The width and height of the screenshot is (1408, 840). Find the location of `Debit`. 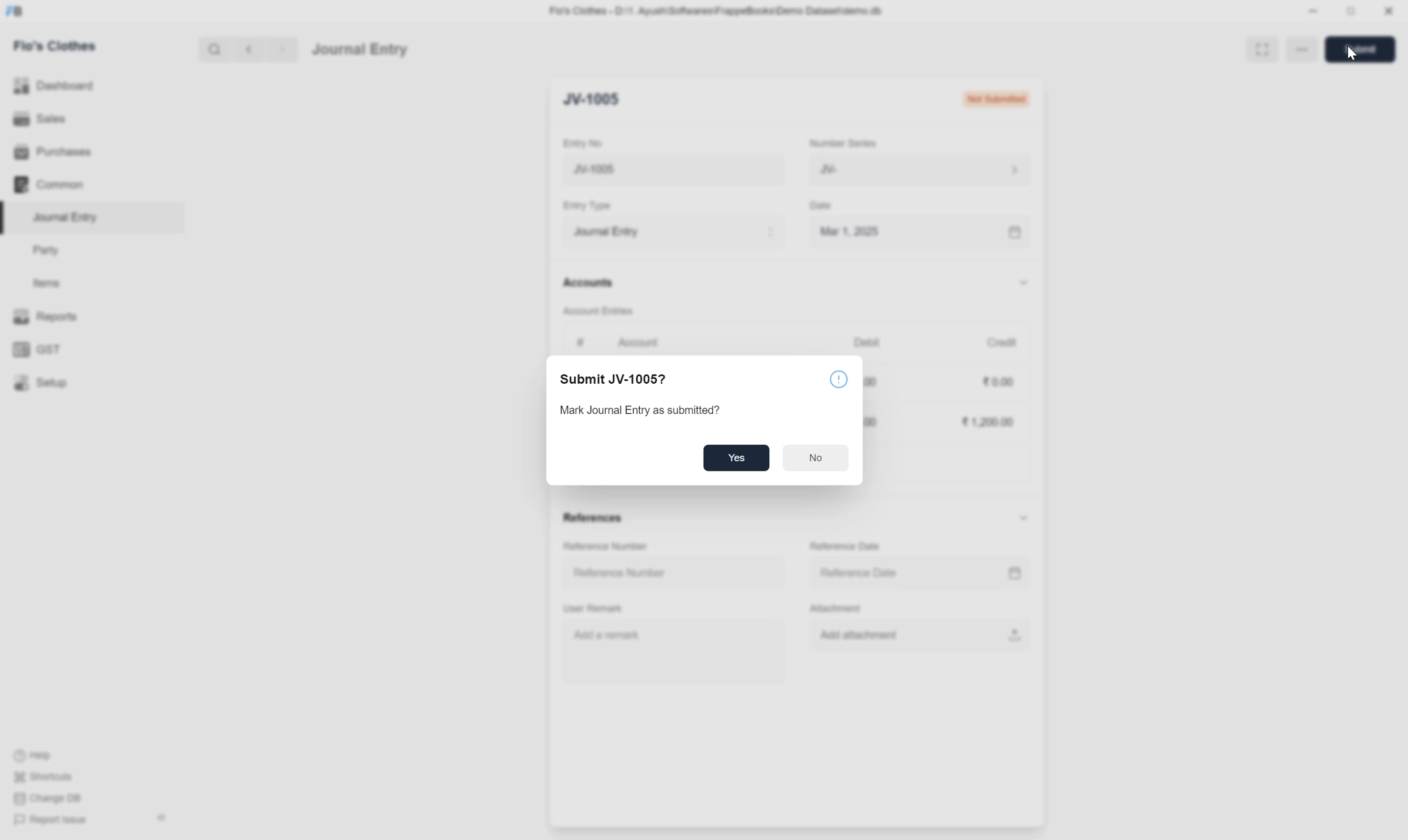

Debit is located at coordinates (867, 341).